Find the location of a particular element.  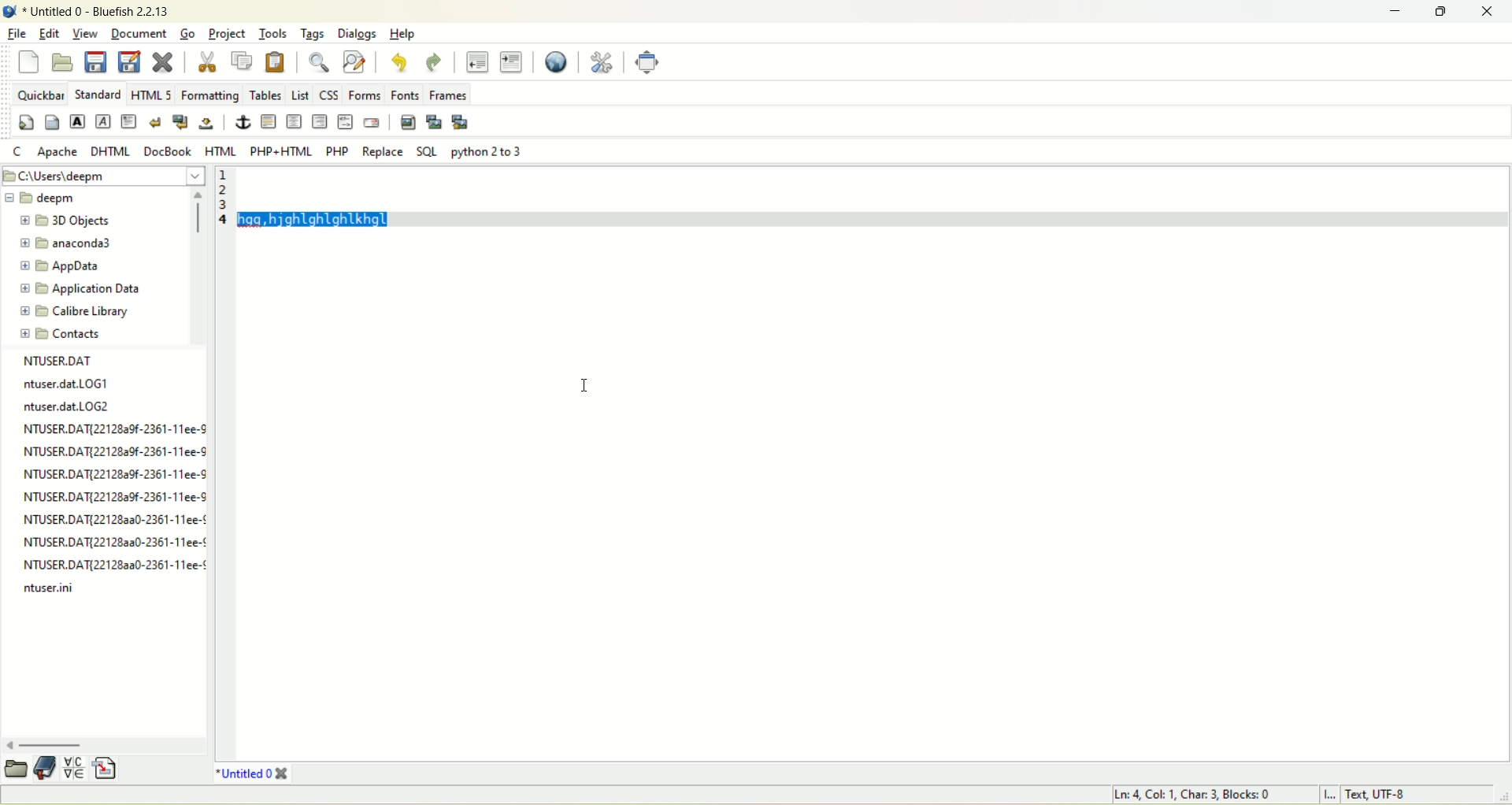

copy is located at coordinates (244, 61).